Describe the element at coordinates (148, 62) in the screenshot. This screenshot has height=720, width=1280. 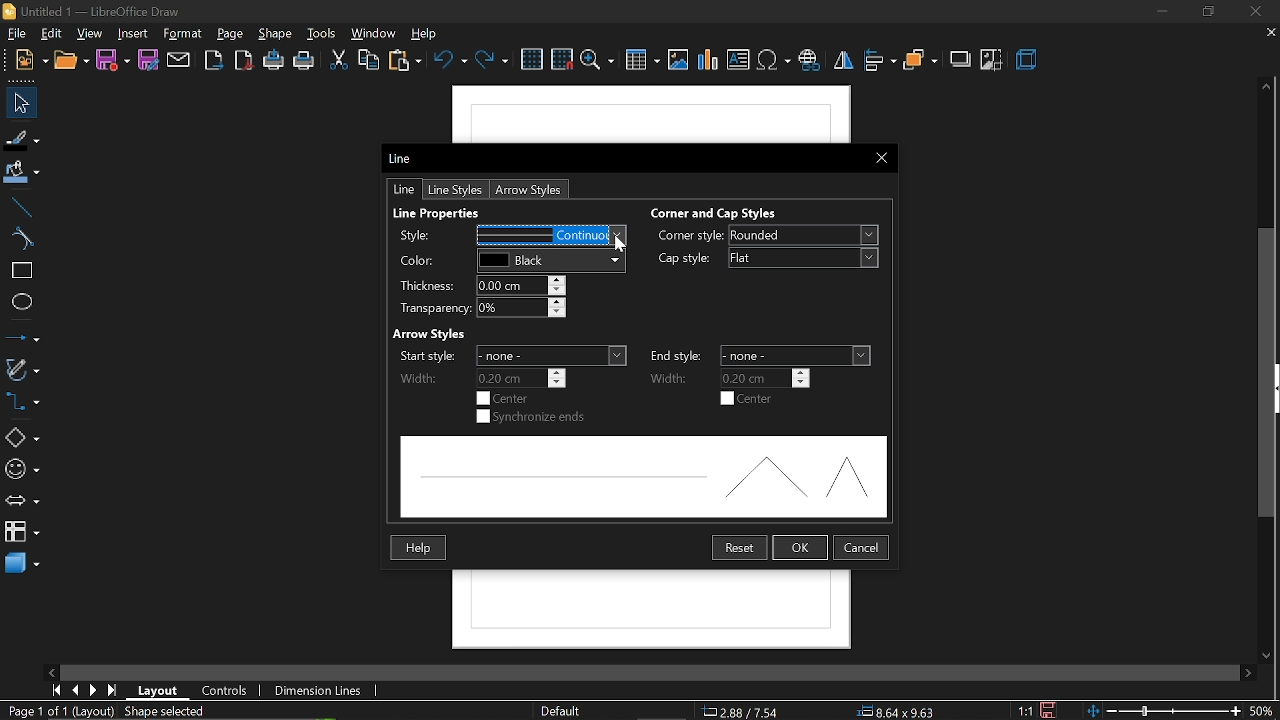
I see `save as` at that location.